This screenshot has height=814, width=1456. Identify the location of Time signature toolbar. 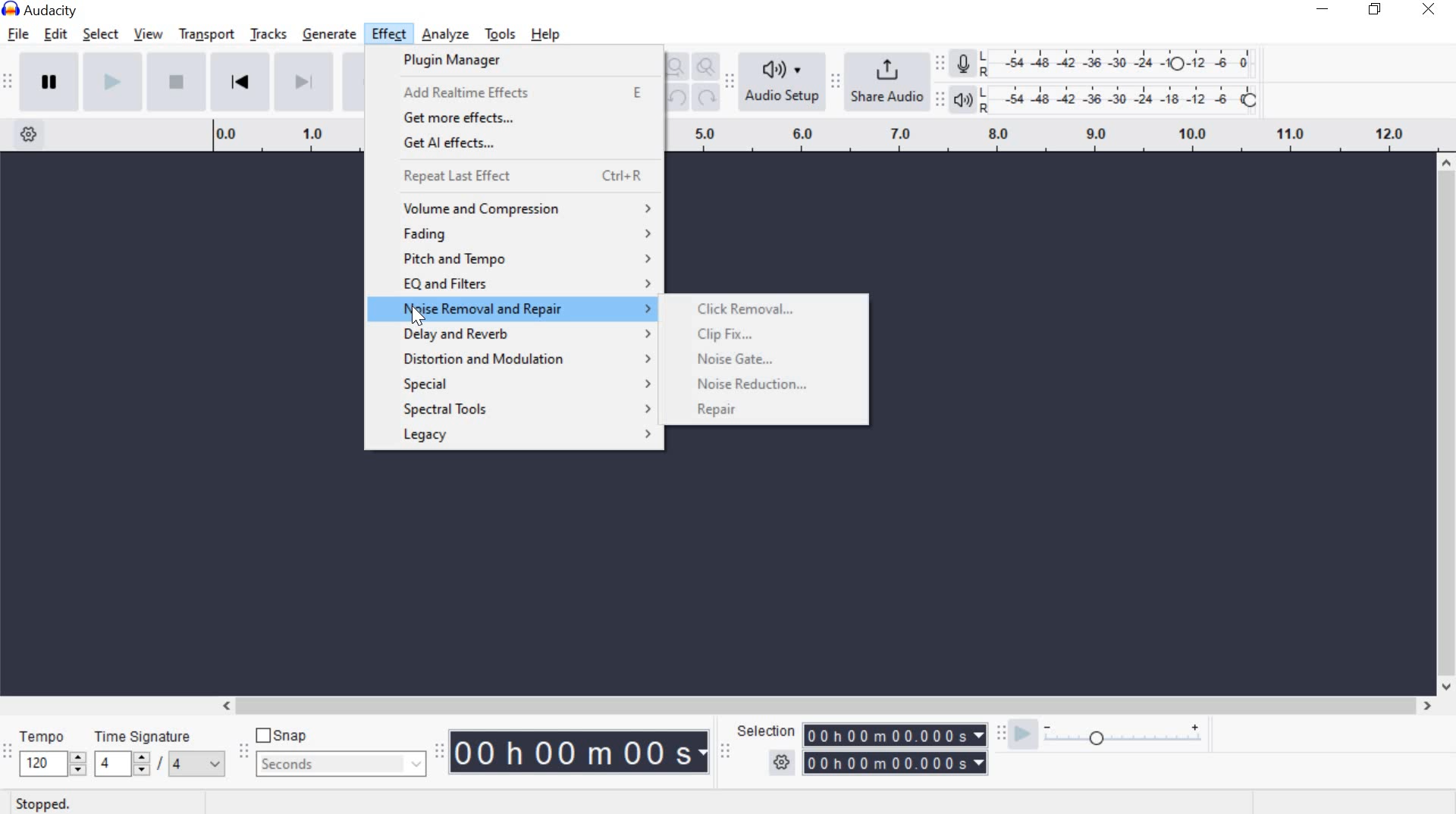
(9, 747).